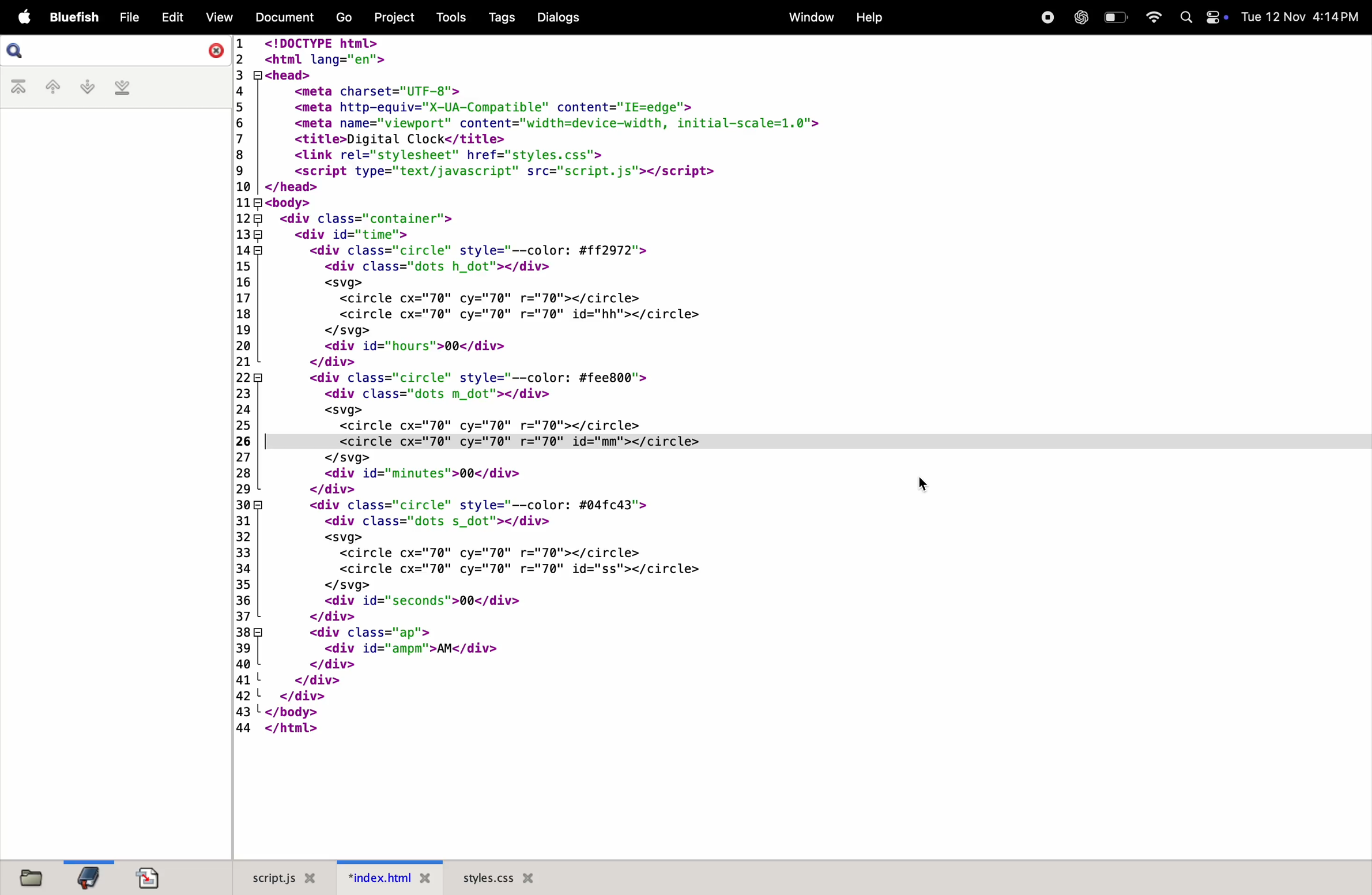  Describe the element at coordinates (1046, 18) in the screenshot. I see `record` at that location.